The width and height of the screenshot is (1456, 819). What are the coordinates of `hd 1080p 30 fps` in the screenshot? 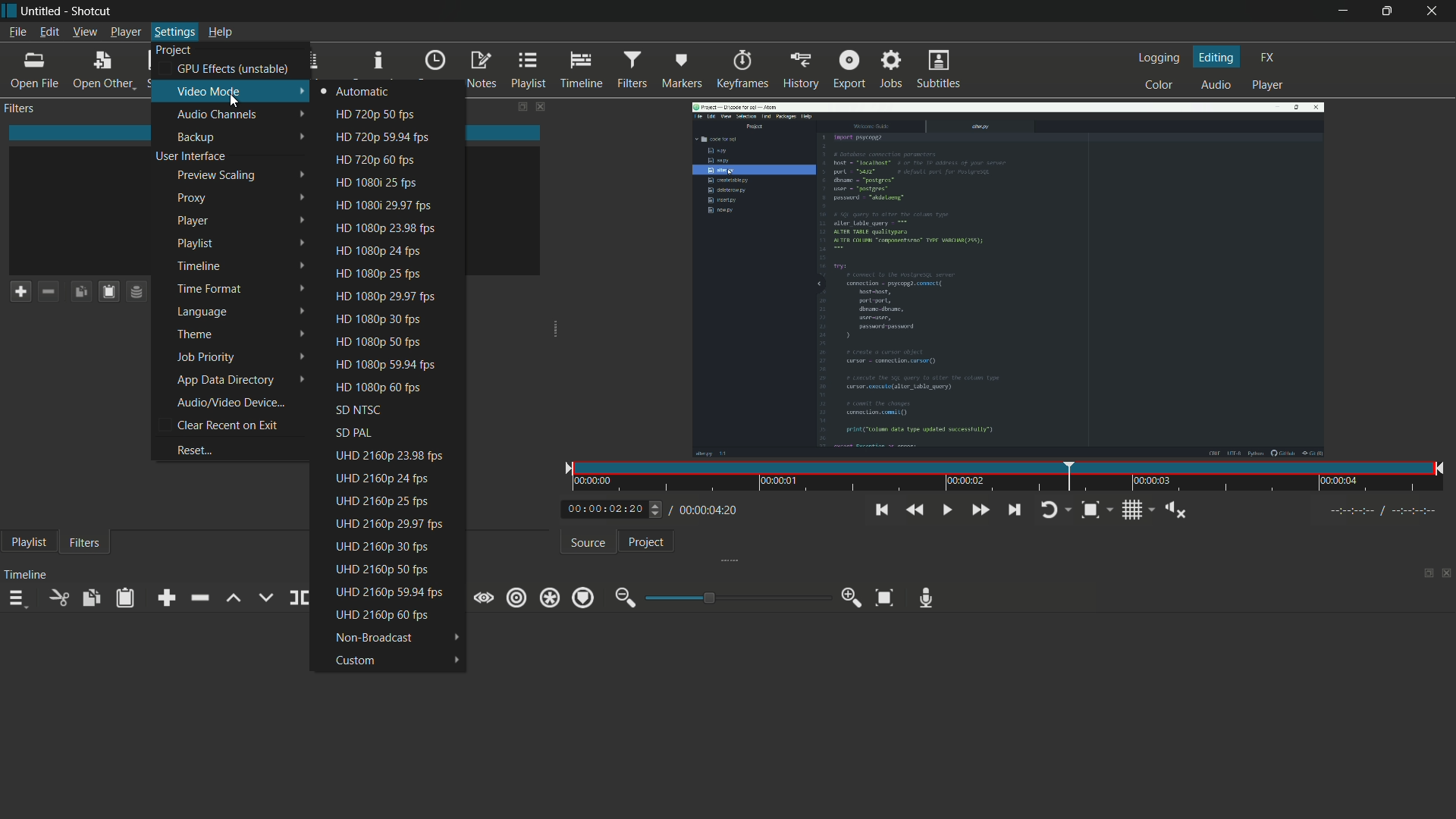 It's located at (392, 318).